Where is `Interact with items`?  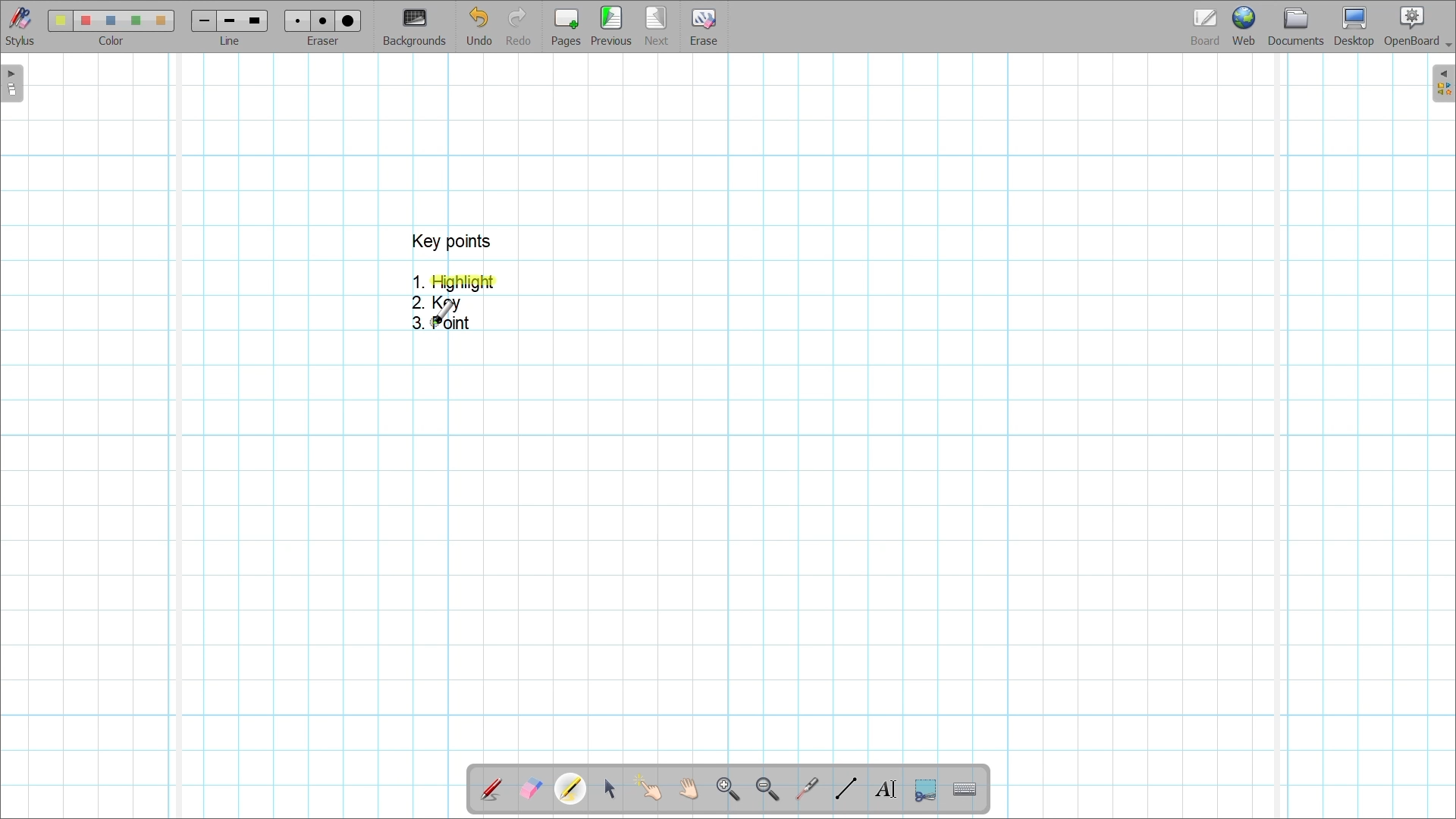
Interact with items is located at coordinates (648, 788).